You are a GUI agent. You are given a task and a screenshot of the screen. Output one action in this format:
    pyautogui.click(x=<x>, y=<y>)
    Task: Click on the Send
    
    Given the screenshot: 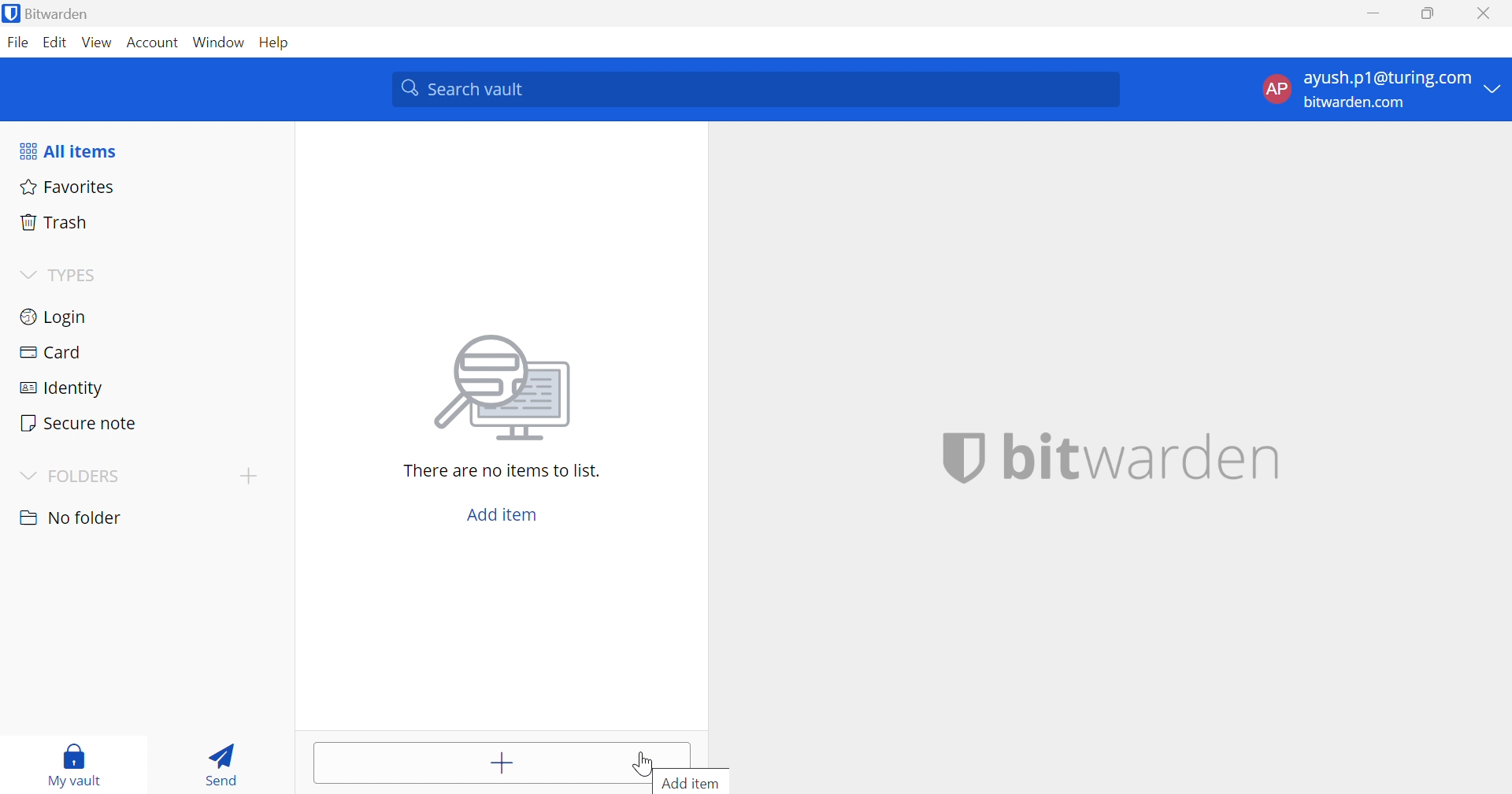 What is the action you would take?
    pyautogui.click(x=225, y=763)
    